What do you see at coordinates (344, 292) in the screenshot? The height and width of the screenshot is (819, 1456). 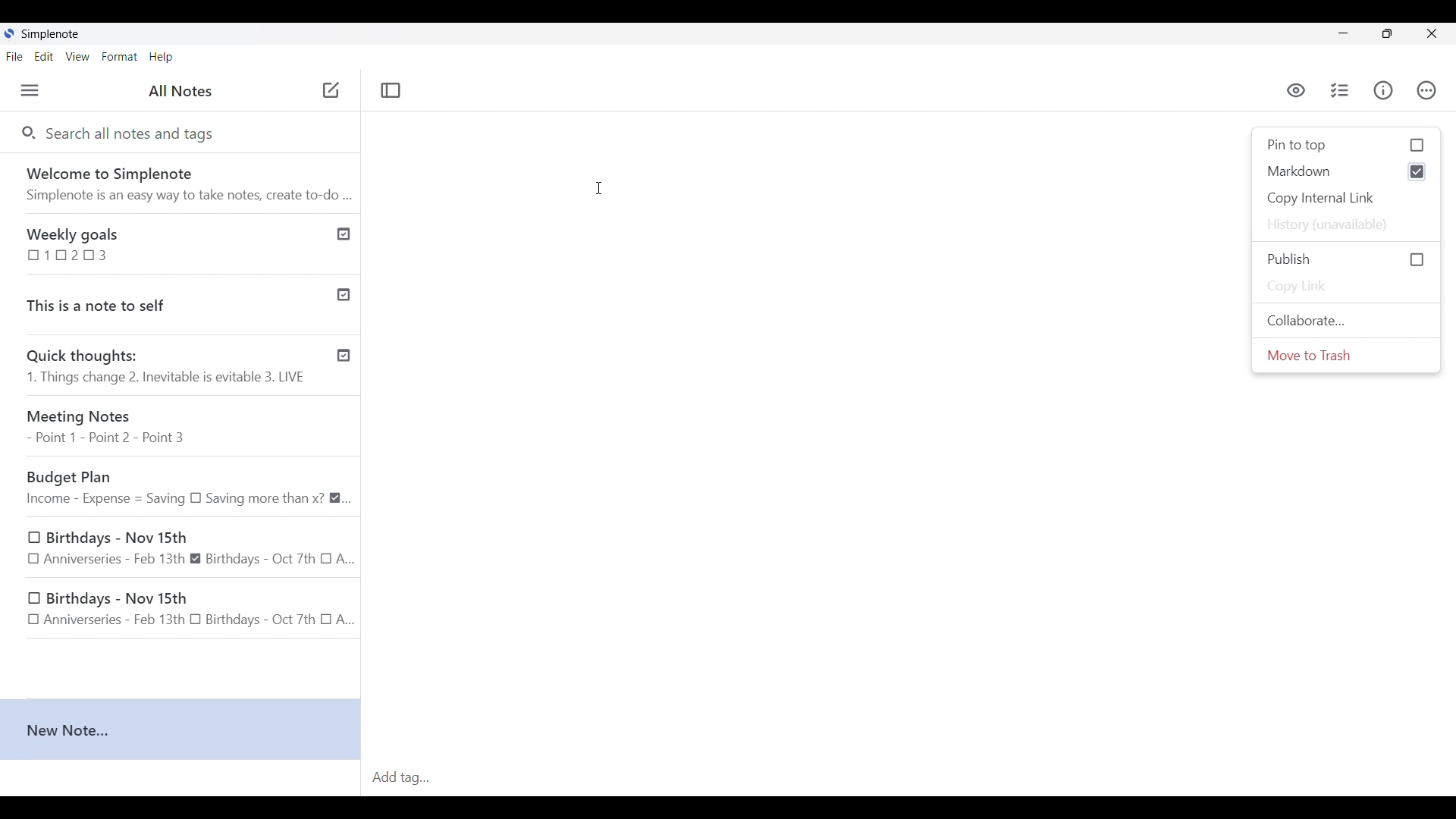 I see `Published notes check icon` at bounding box center [344, 292].